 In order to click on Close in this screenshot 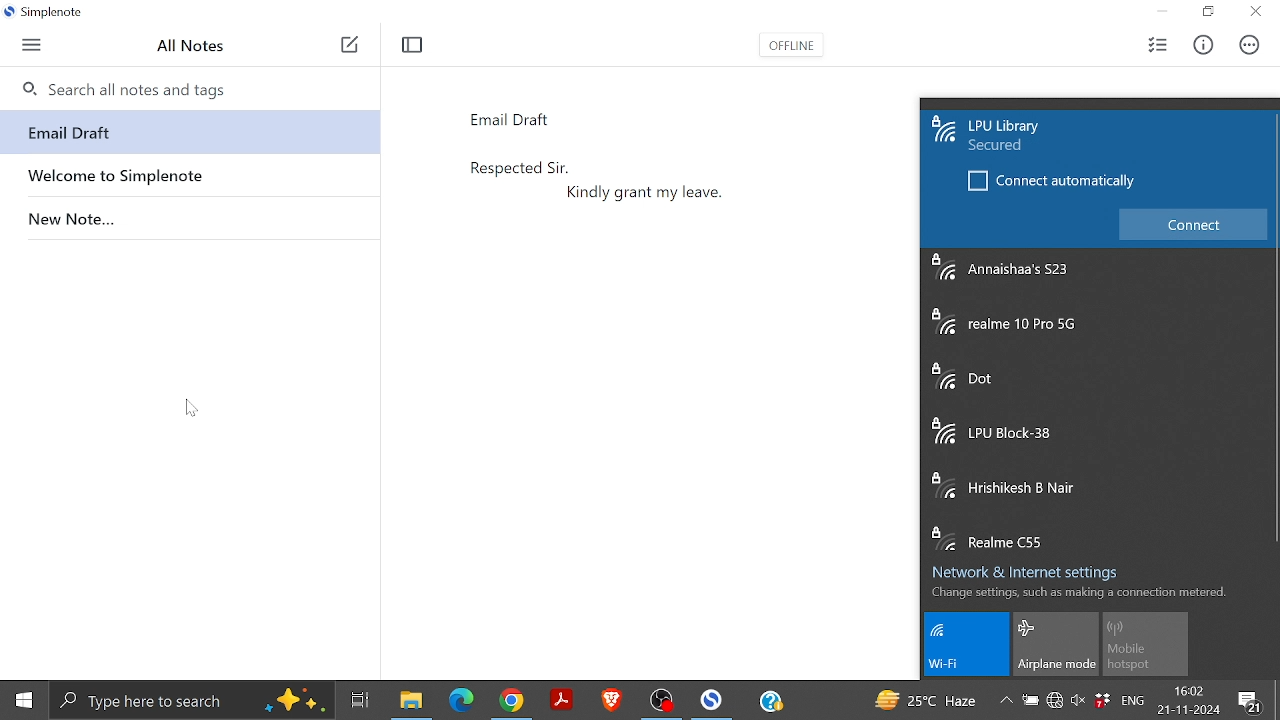, I will do `click(1254, 13)`.